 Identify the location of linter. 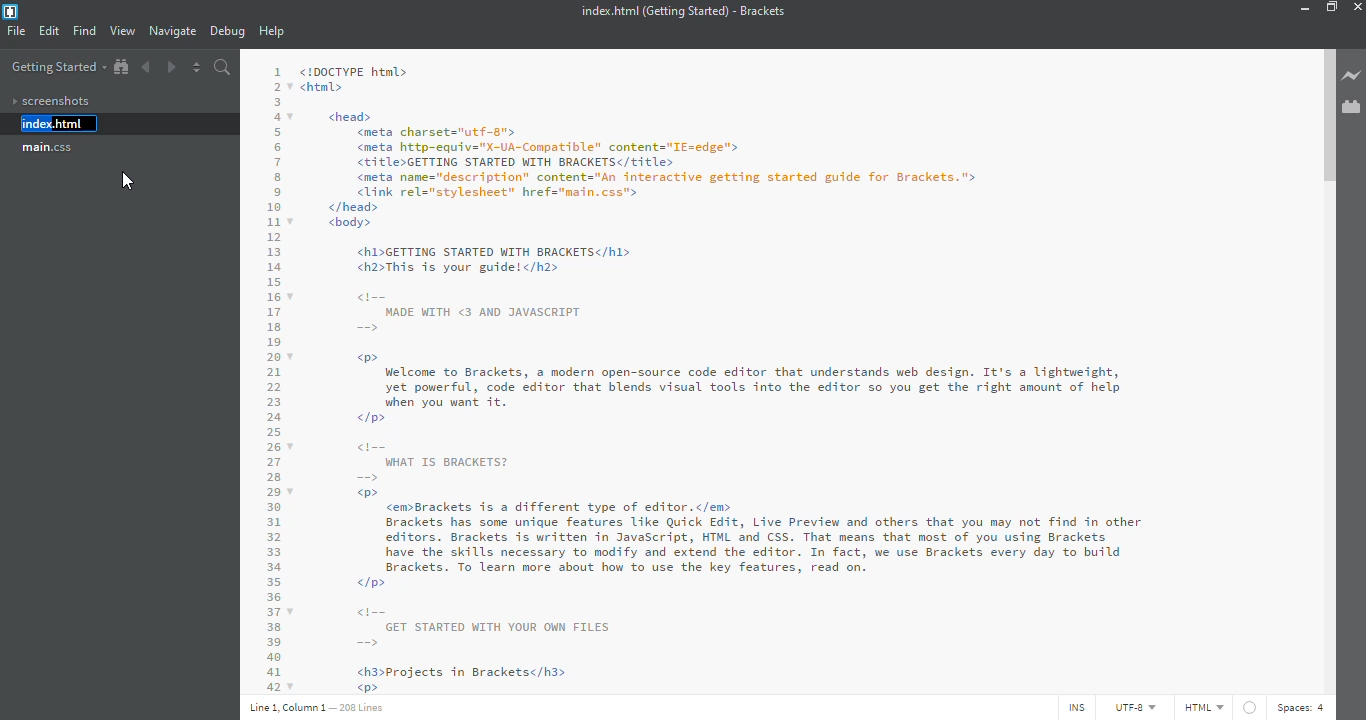
(1249, 707).